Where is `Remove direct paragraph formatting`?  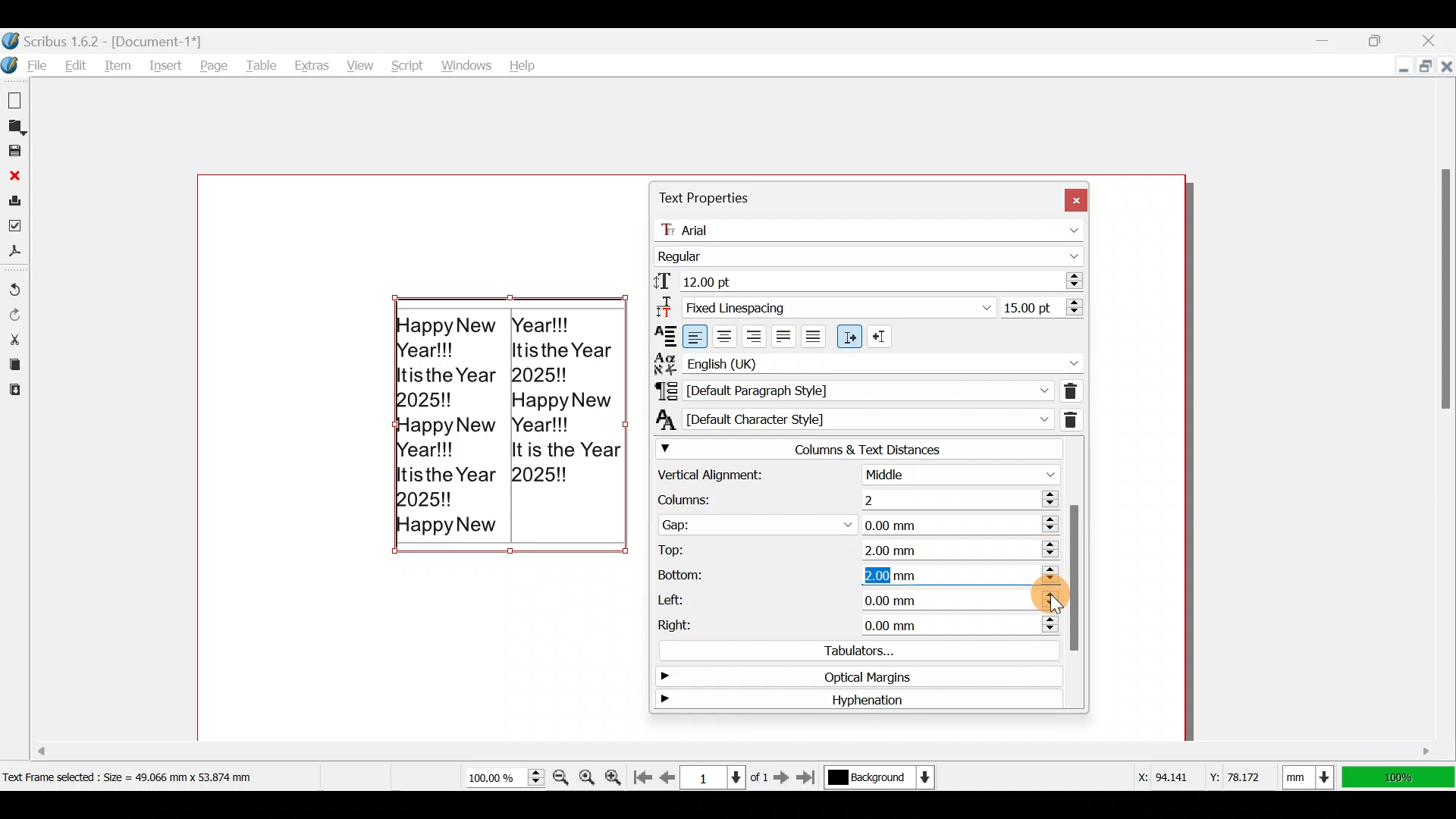 Remove direct paragraph formatting is located at coordinates (1070, 389).